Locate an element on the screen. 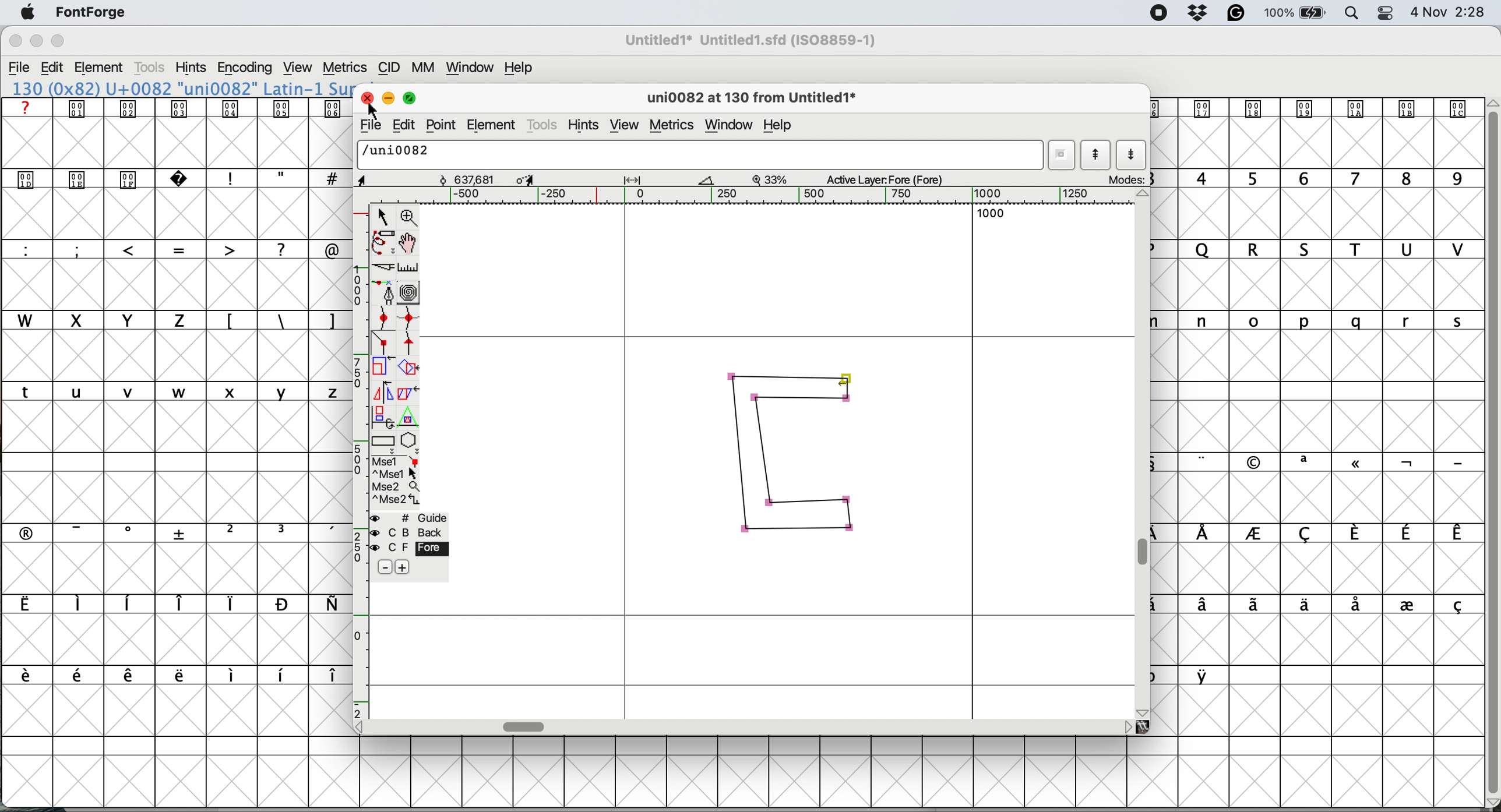 The image size is (1501, 812). spotlight search is located at coordinates (1349, 15).